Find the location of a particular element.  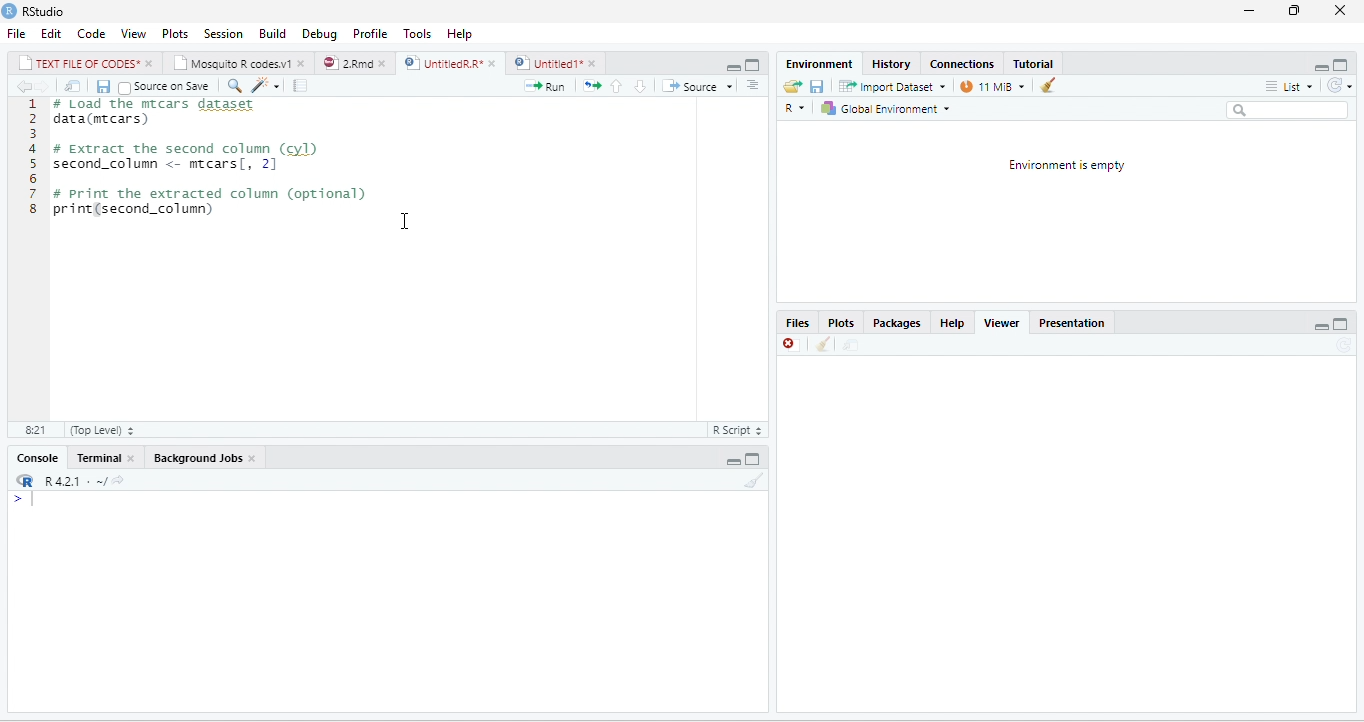

1:1 is located at coordinates (33, 431).